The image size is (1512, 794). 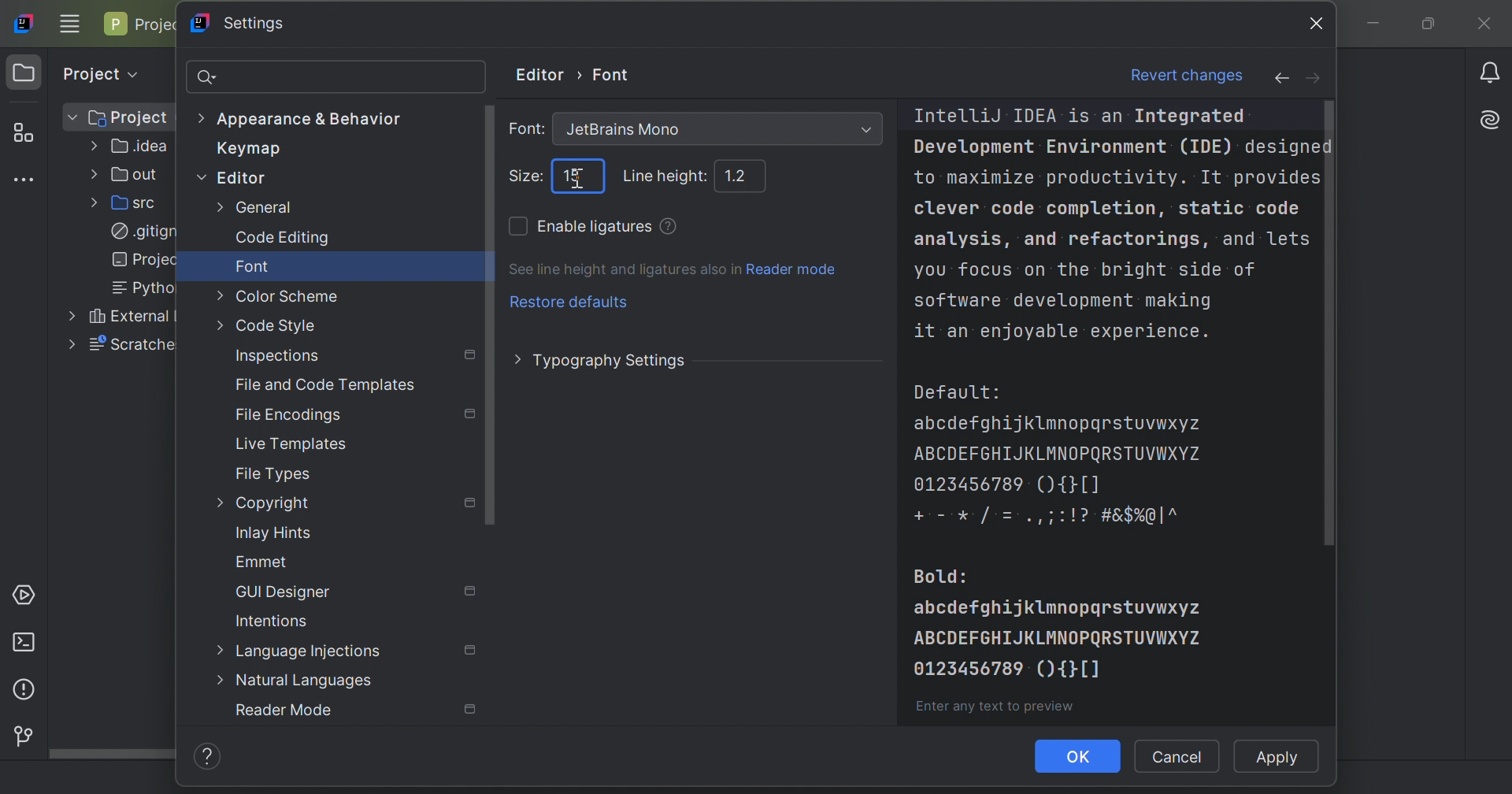 I want to click on ABCDEFGHIJKLMNOPQRSTUVWXYZ, so click(x=1057, y=454).